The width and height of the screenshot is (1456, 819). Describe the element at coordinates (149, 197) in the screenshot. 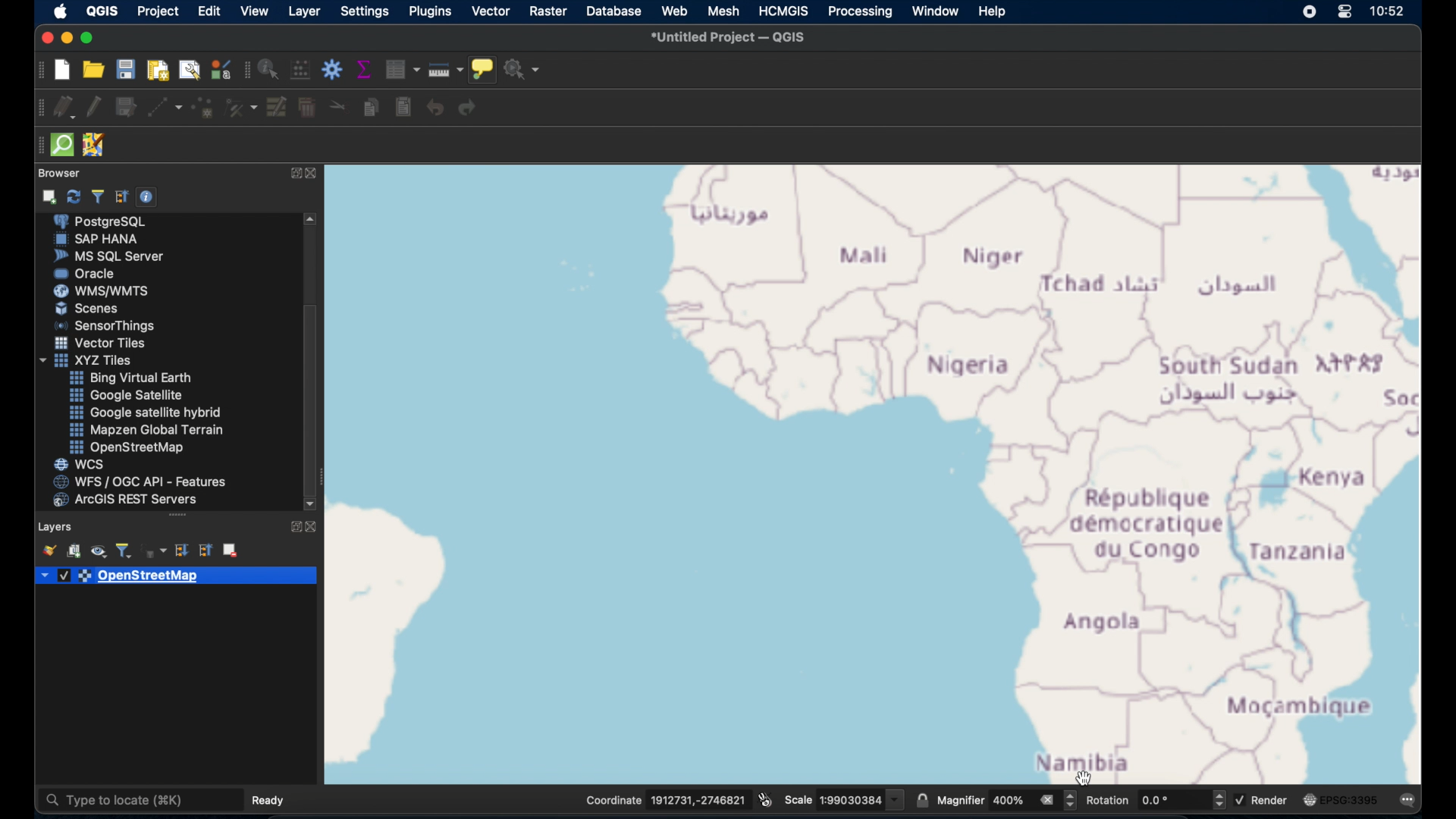

I see `enable/disable properties widget` at that location.